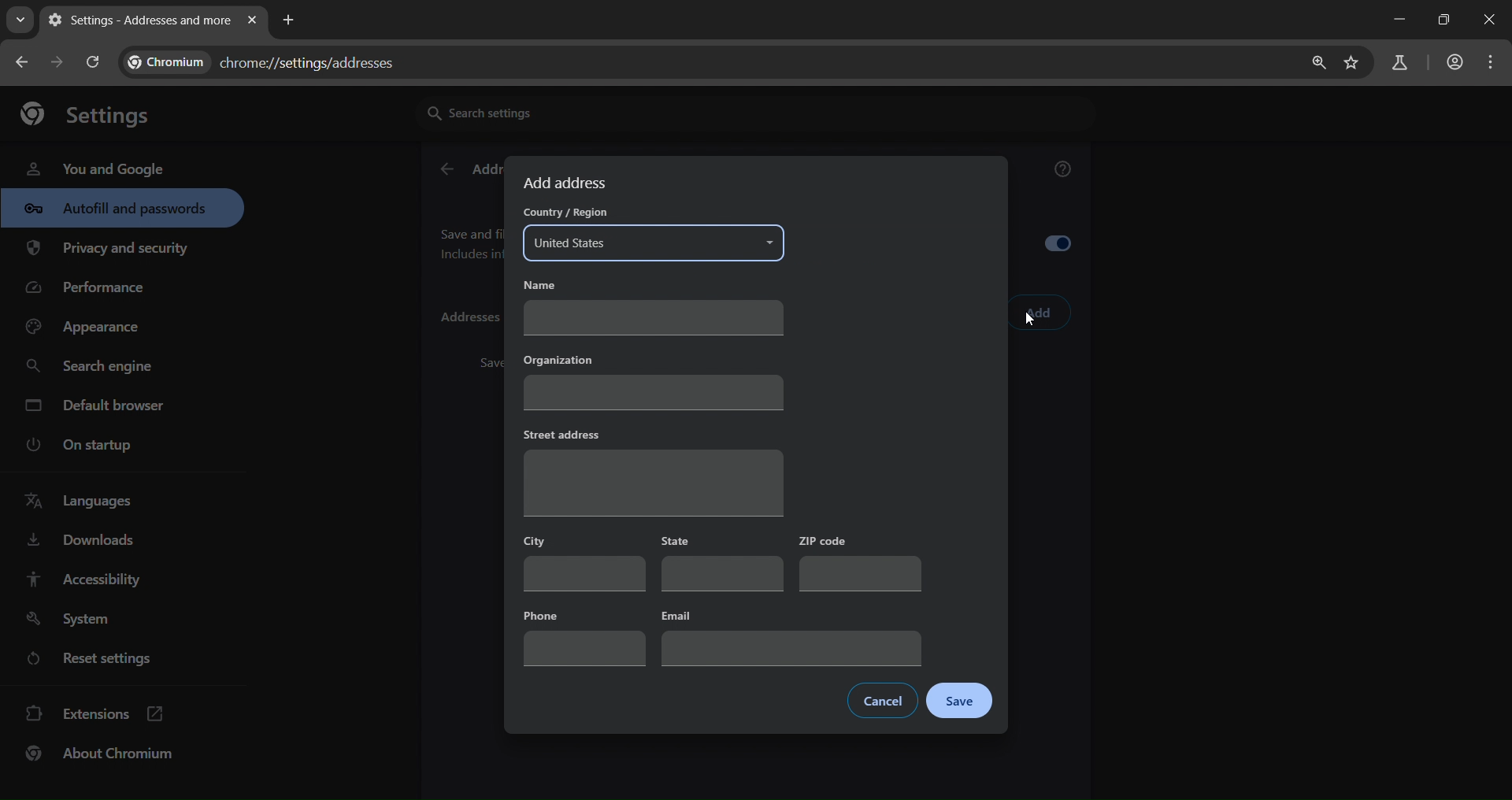 The height and width of the screenshot is (800, 1512). What do you see at coordinates (102, 753) in the screenshot?
I see `bout chromium` at bounding box center [102, 753].